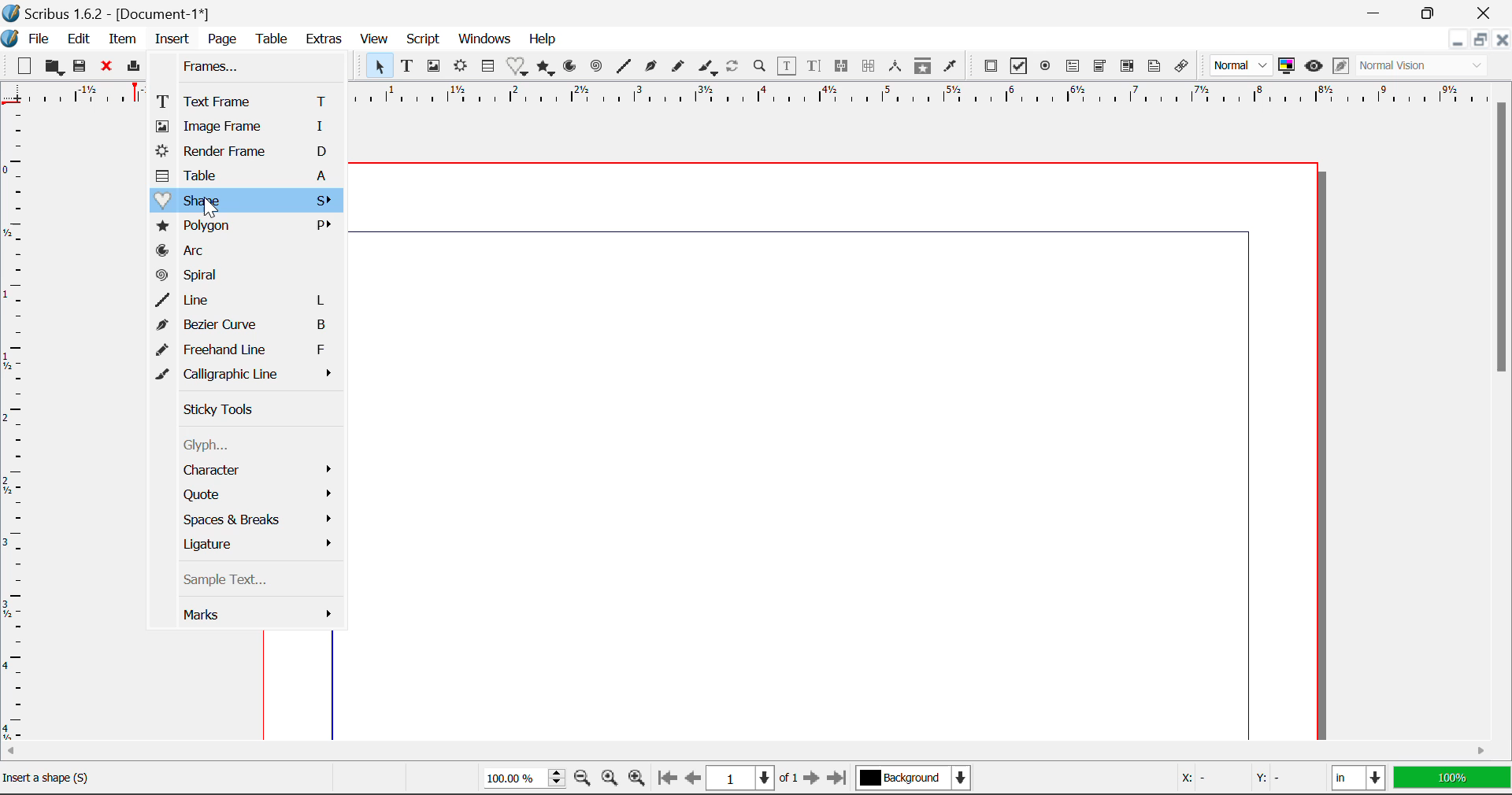  Describe the element at coordinates (1424, 67) in the screenshot. I see `Normal Vision` at that location.